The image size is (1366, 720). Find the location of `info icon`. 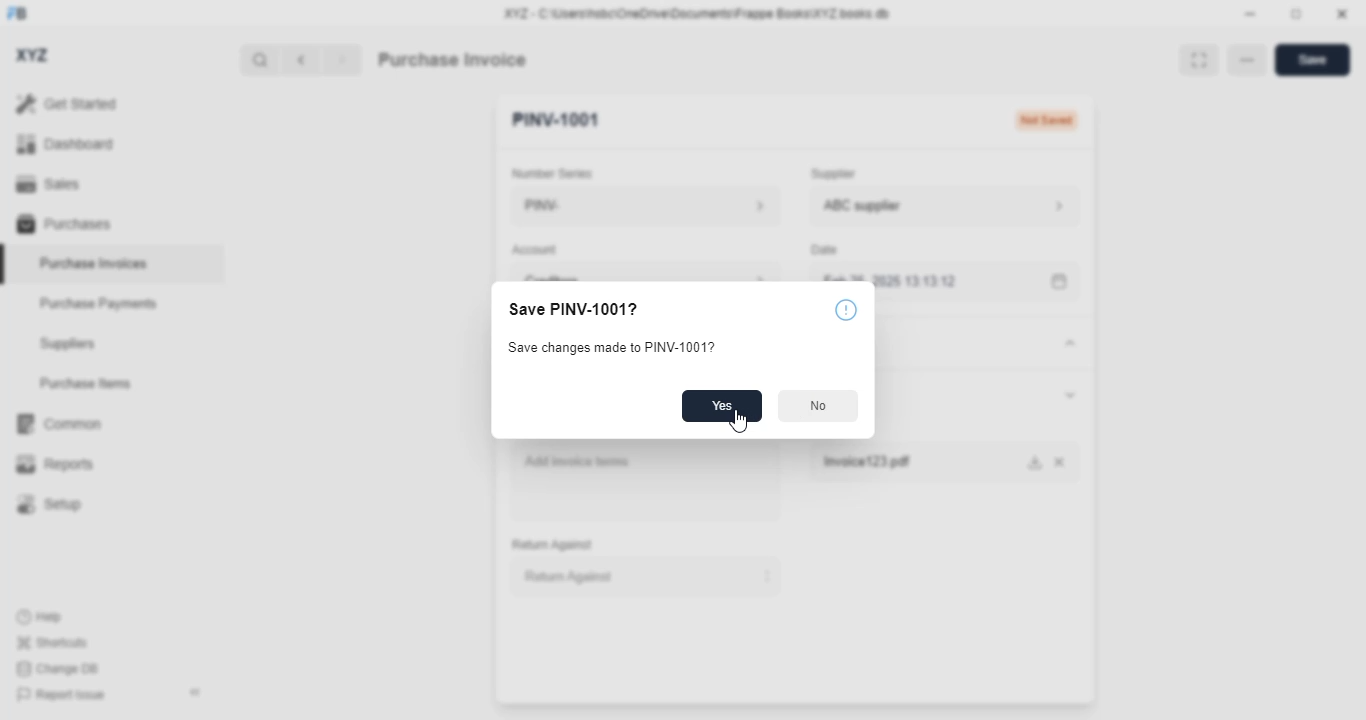

info icon is located at coordinates (847, 310).